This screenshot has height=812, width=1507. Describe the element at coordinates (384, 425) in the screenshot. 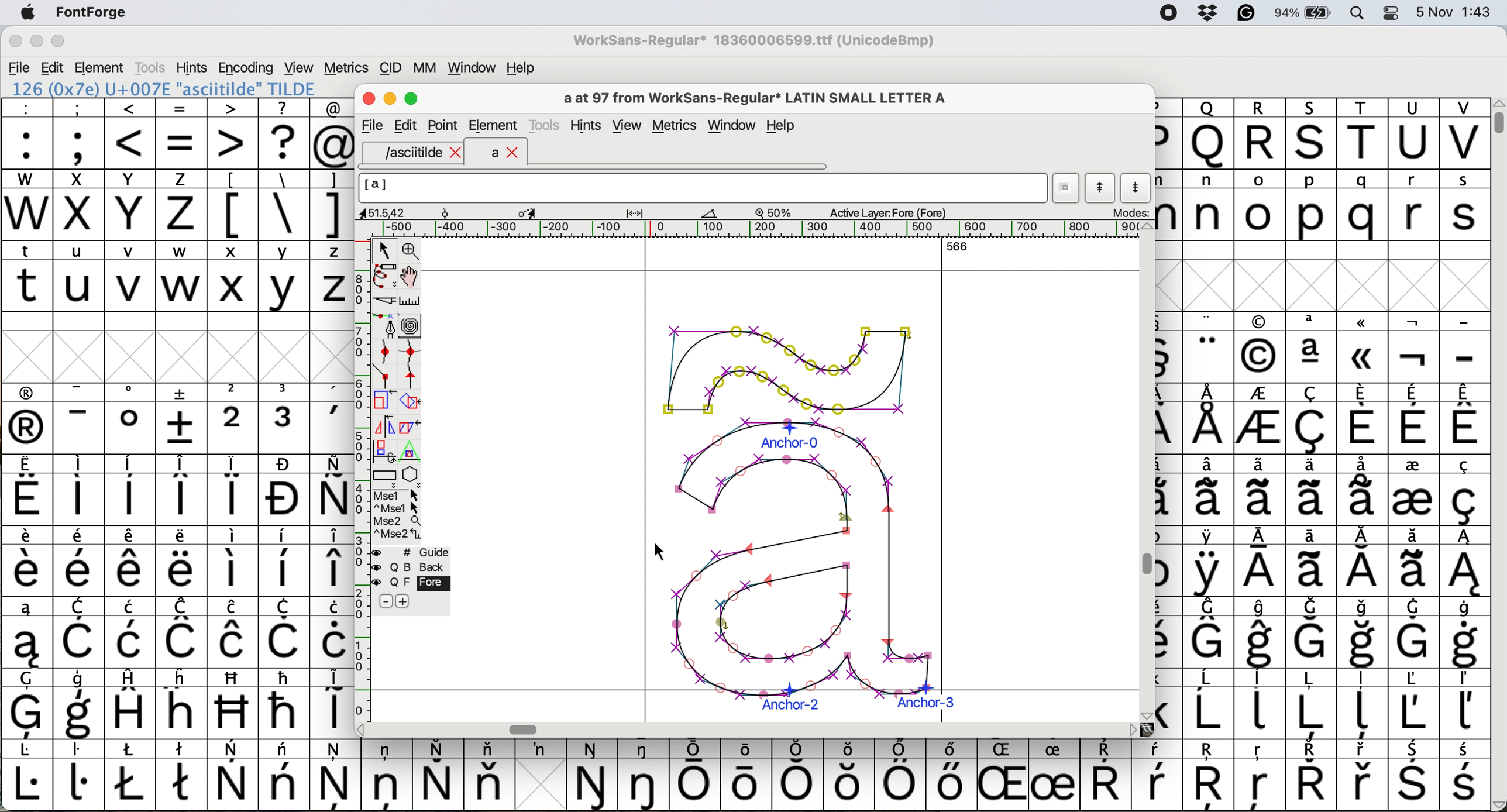

I see `flip selection` at that location.